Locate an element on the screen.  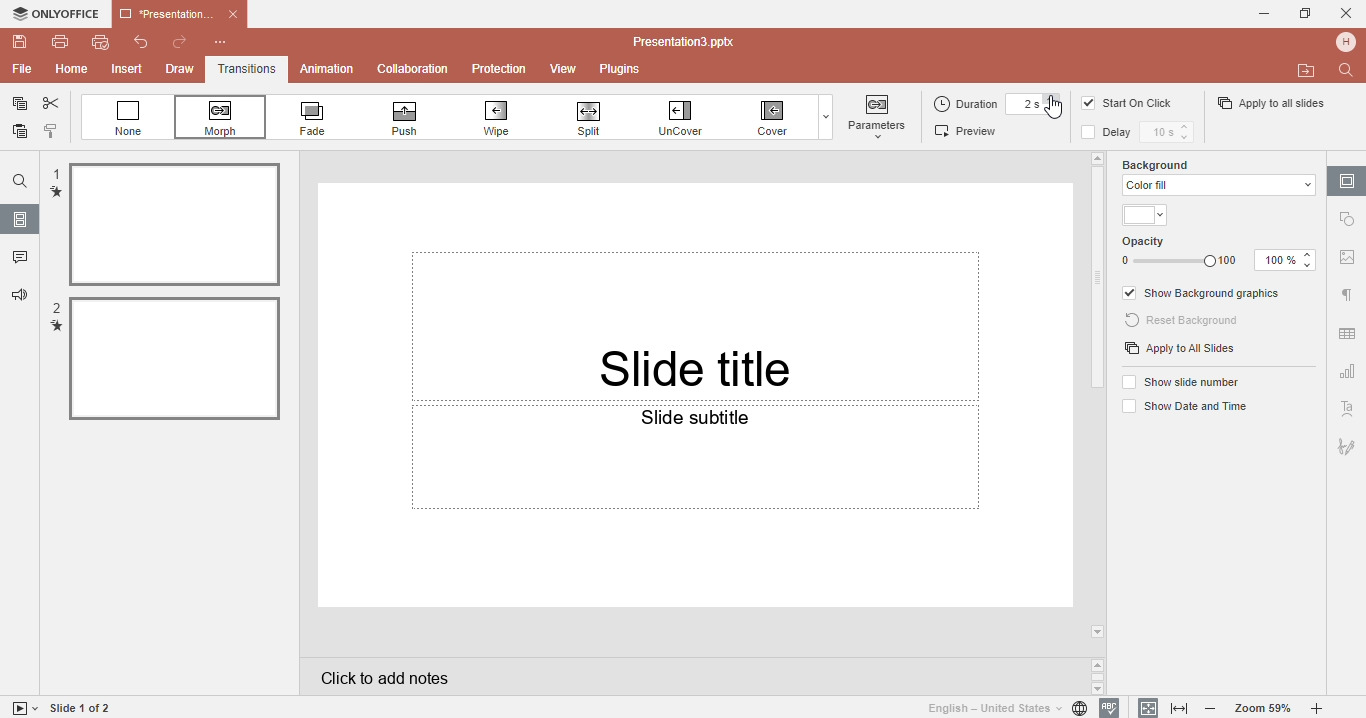
Transitions is located at coordinates (247, 70).